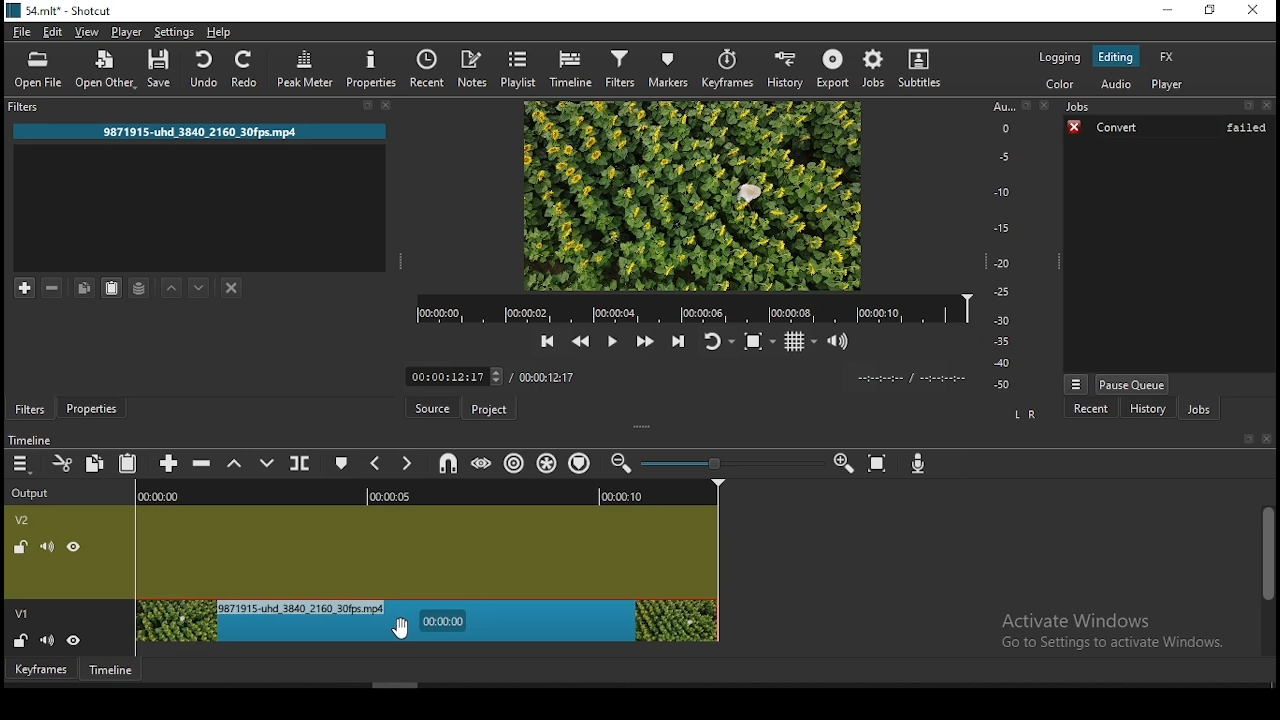 The image size is (1280, 720). Describe the element at coordinates (1082, 407) in the screenshot. I see `recent` at that location.